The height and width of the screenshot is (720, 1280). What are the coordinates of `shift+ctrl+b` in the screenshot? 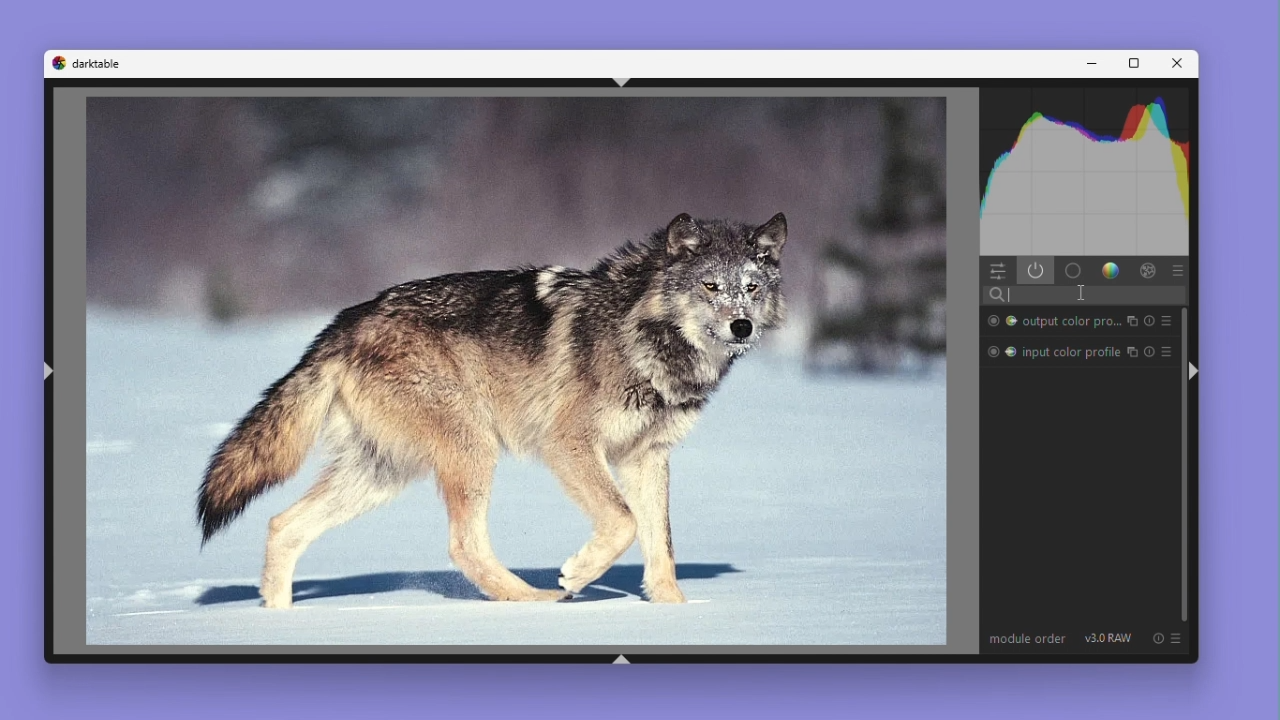 It's located at (623, 659).